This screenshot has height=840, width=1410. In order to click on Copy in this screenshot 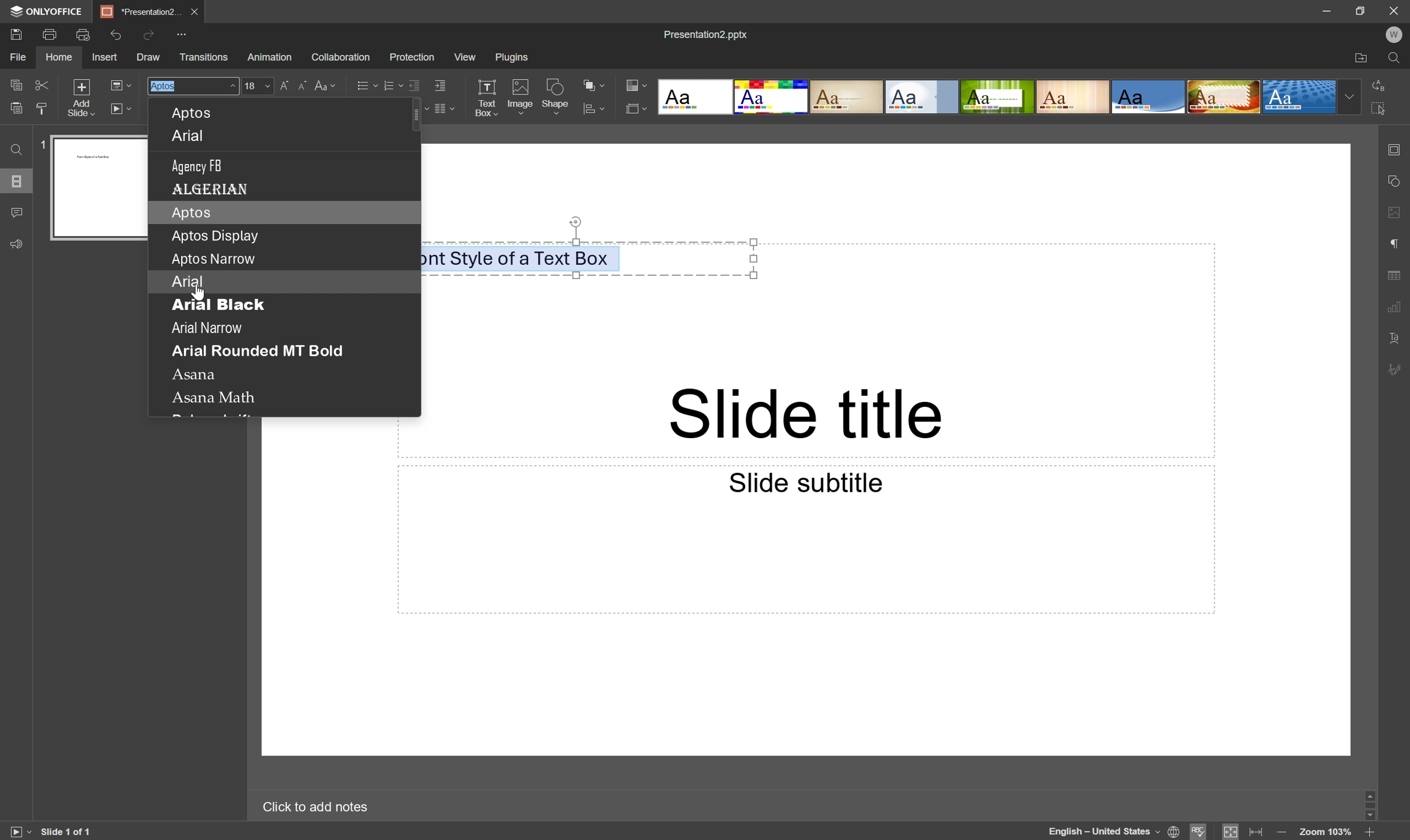, I will do `click(17, 84)`.